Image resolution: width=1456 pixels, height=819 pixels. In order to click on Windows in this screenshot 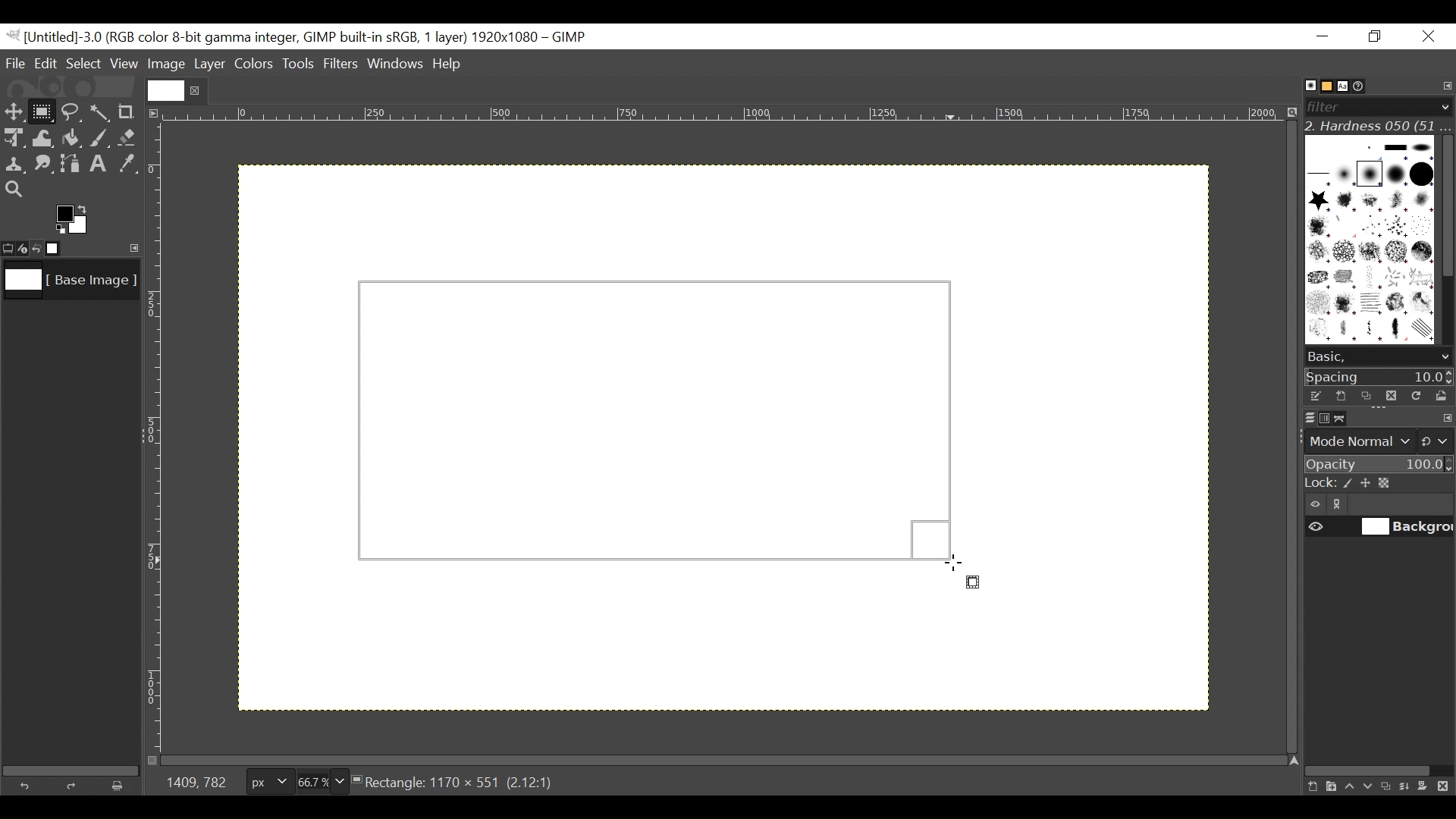, I will do `click(397, 65)`.